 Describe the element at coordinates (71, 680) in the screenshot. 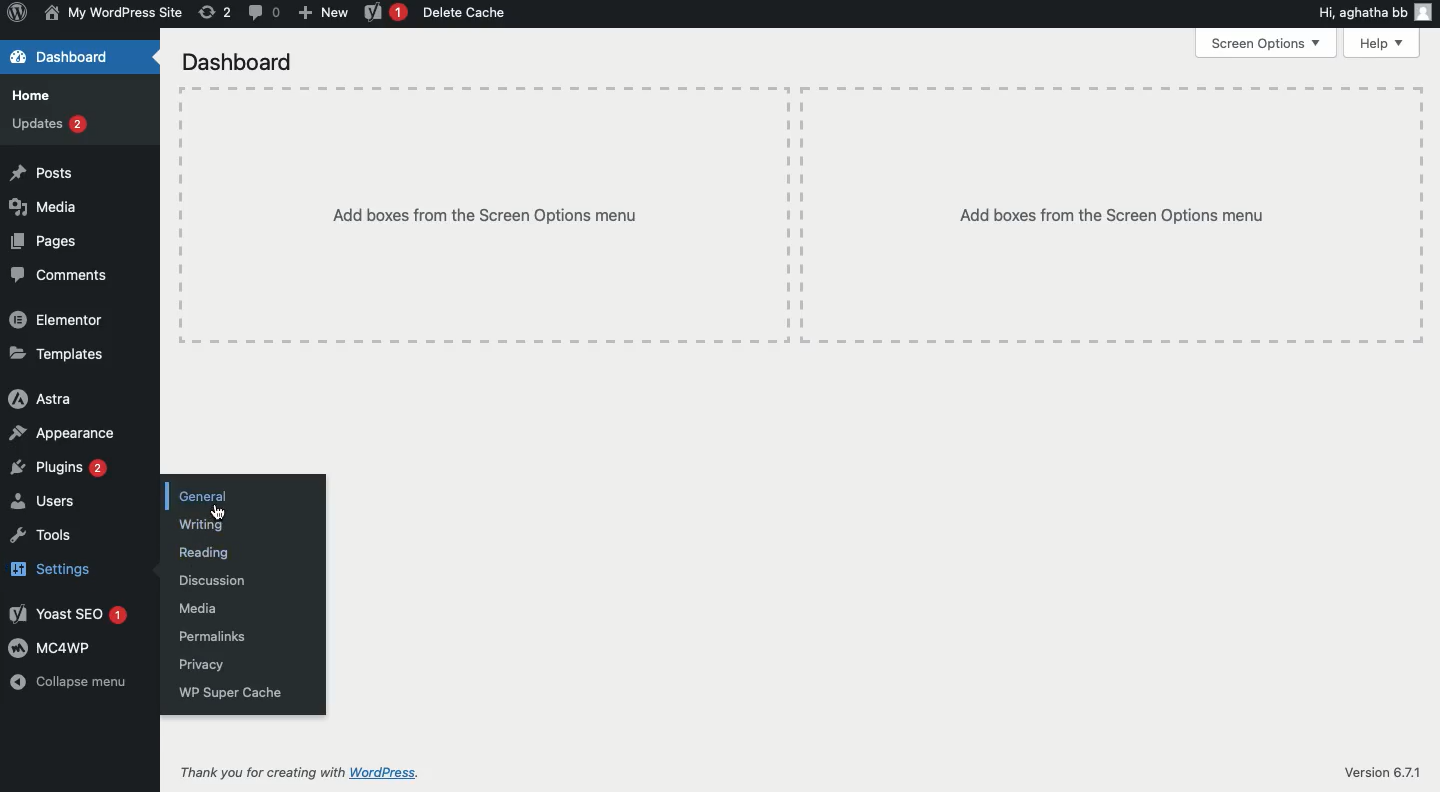

I see `Collapse menu` at that location.